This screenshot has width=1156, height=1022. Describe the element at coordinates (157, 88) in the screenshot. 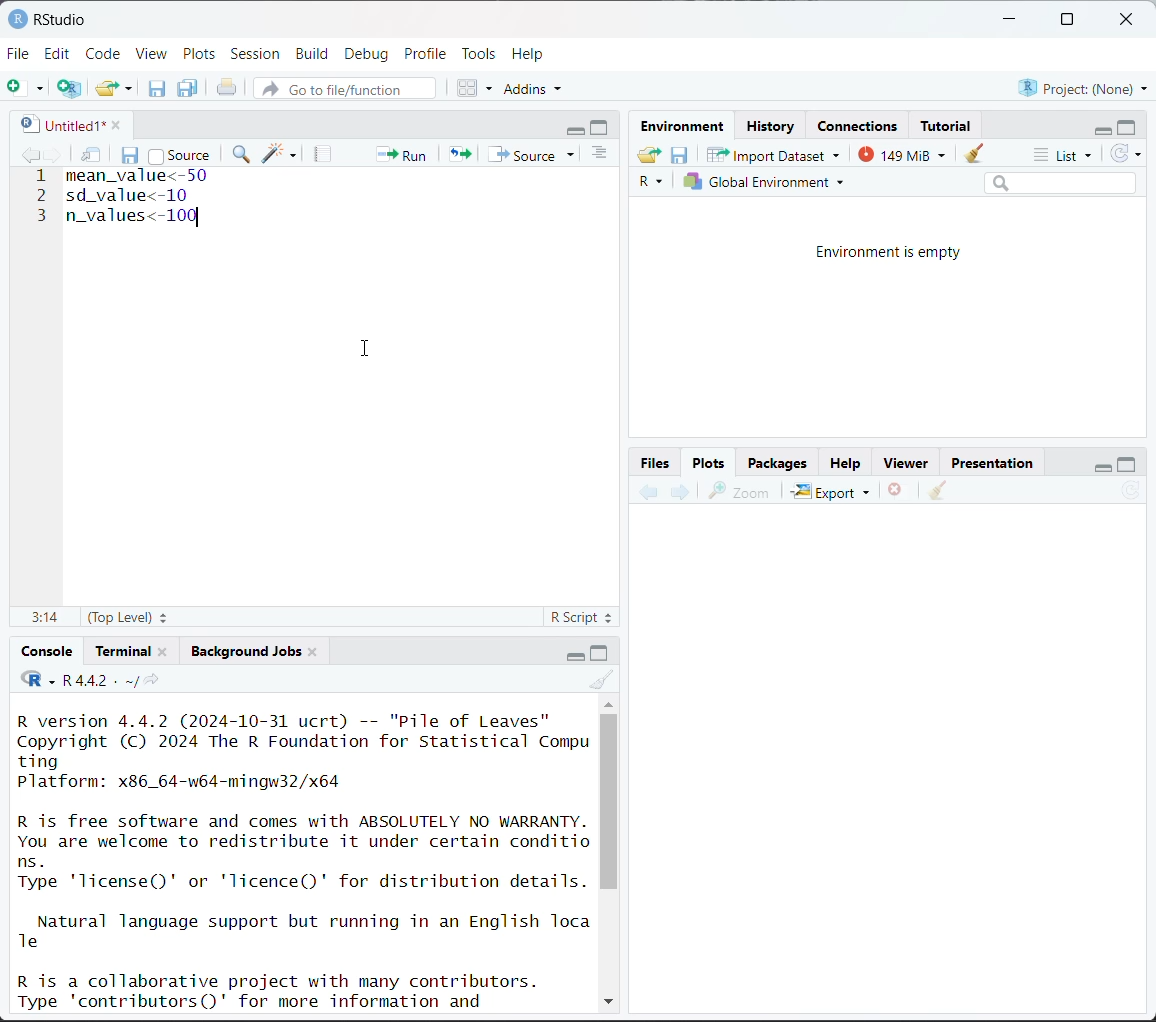

I see `save current document` at that location.